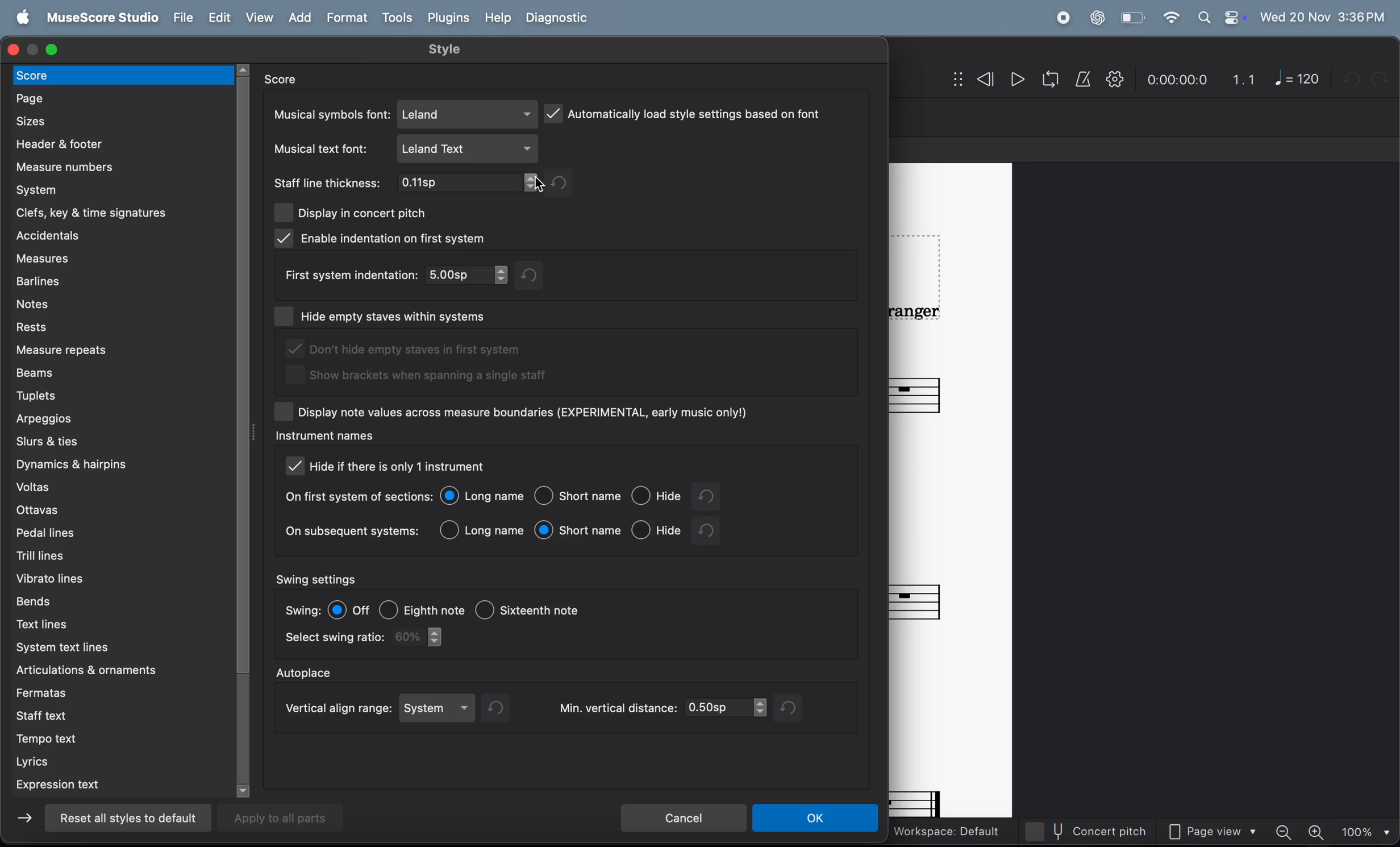  What do you see at coordinates (562, 182) in the screenshot?
I see `redo` at bounding box center [562, 182].